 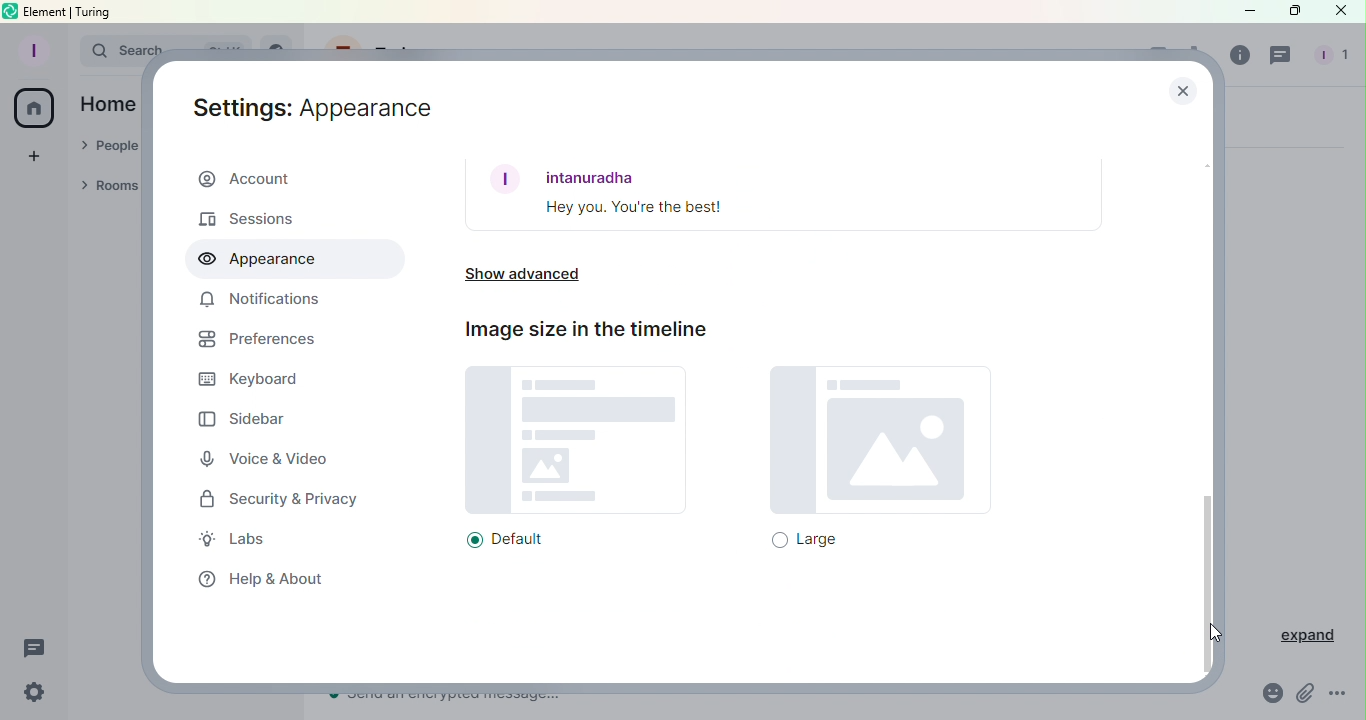 What do you see at coordinates (1181, 89) in the screenshot?
I see `Close` at bounding box center [1181, 89].